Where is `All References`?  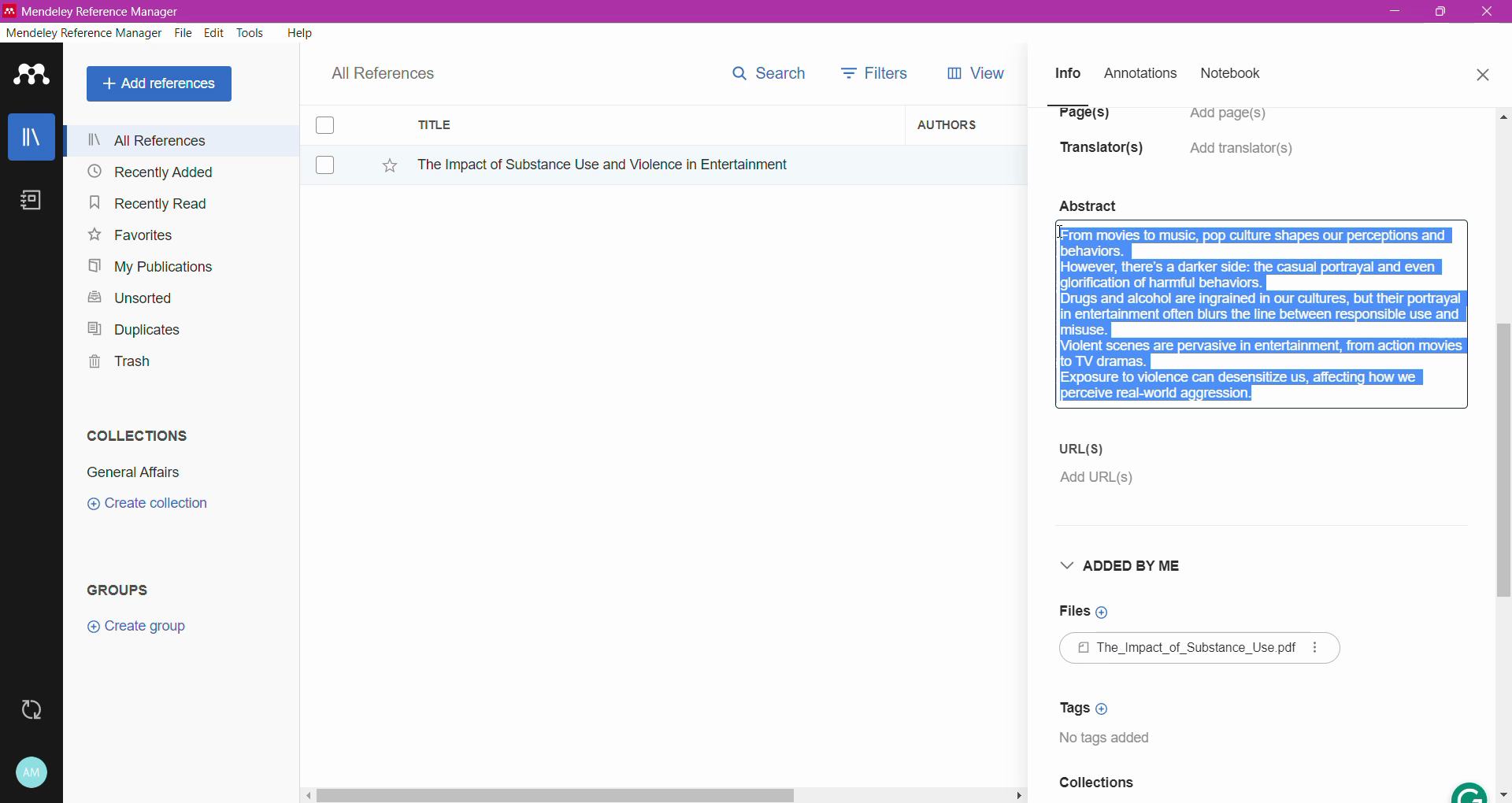
All References is located at coordinates (180, 140).